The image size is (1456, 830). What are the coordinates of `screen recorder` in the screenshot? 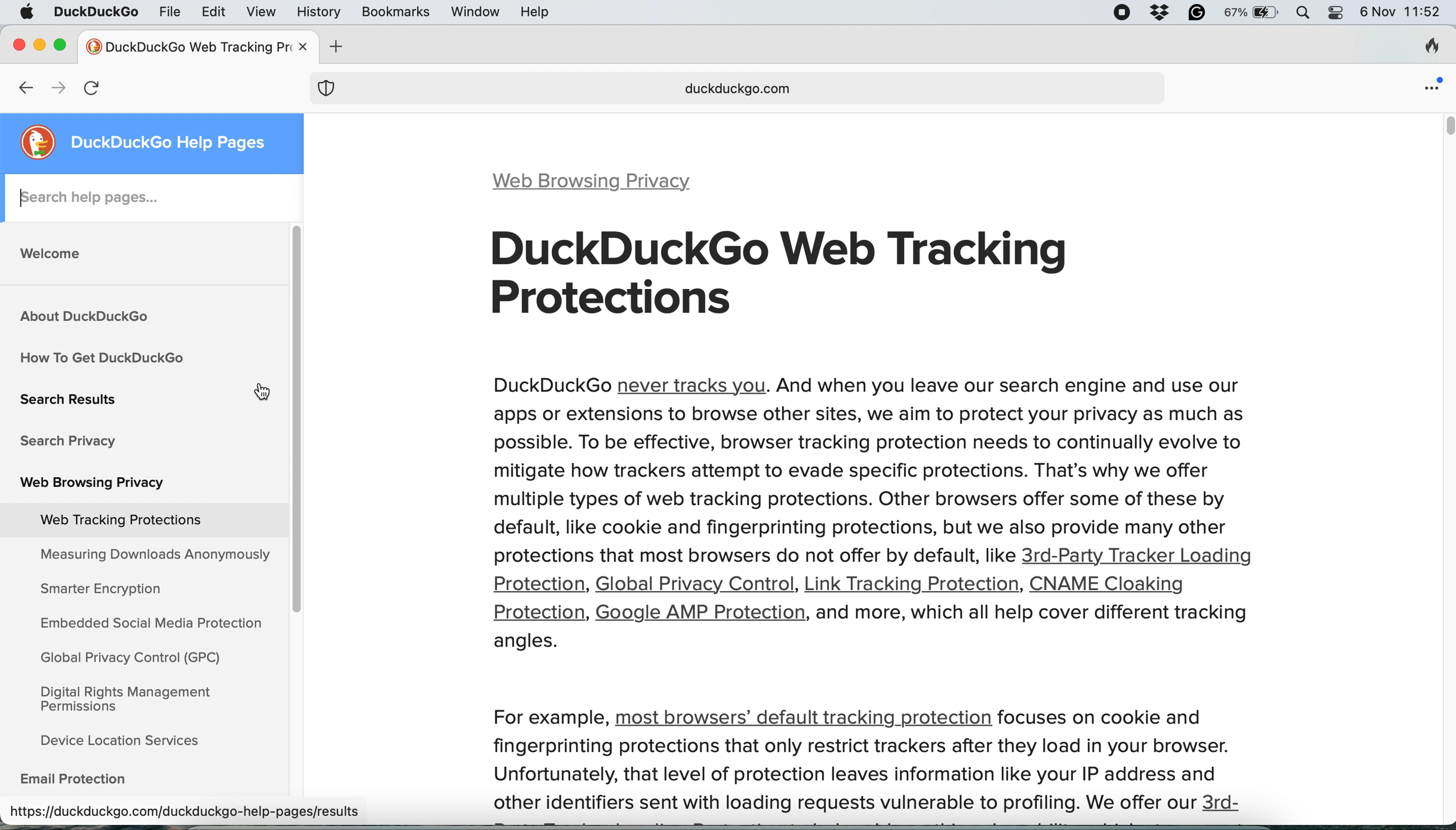 It's located at (1121, 13).